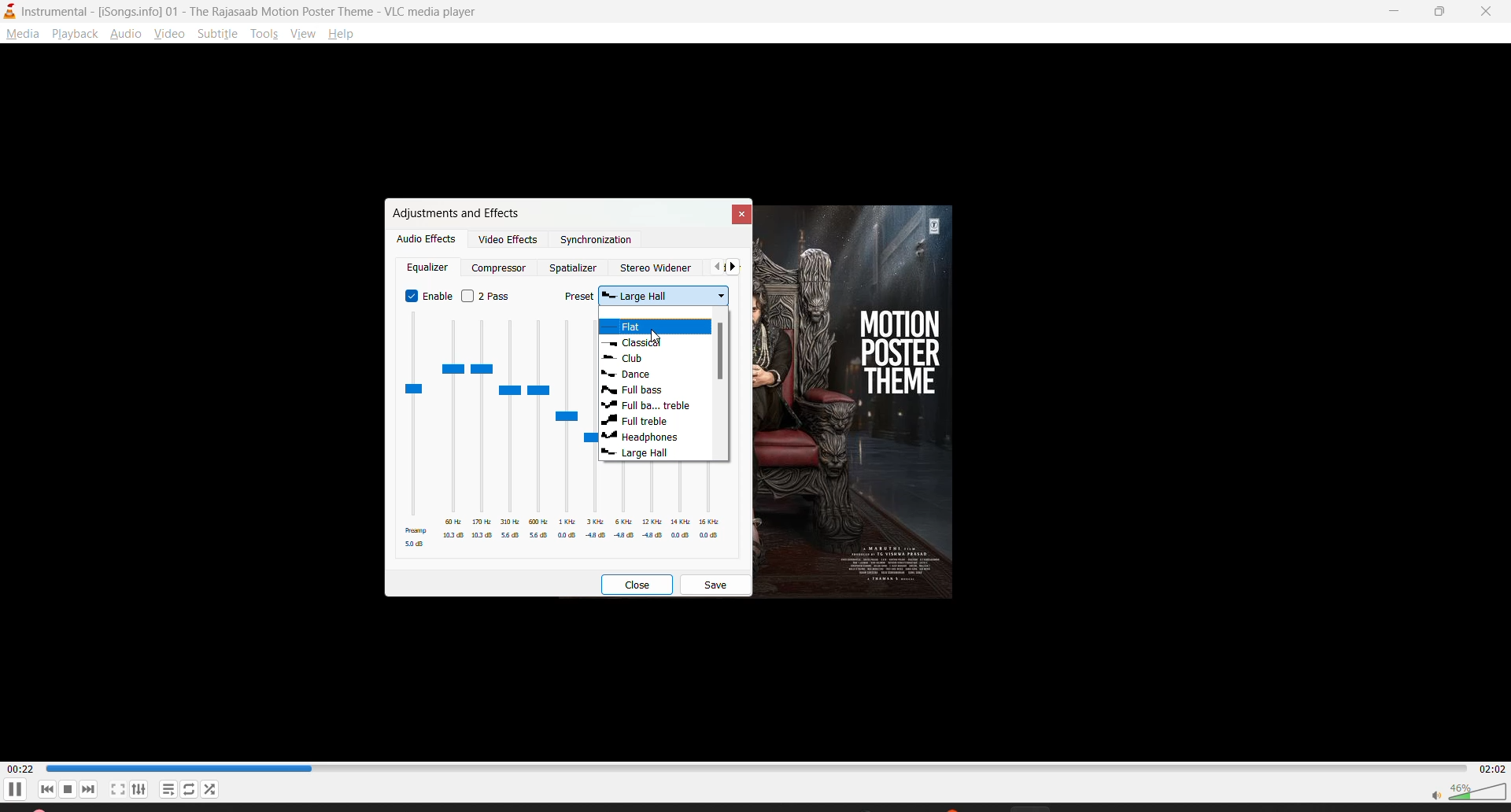 The image size is (1511, 812). Describe the element at coordinates (92, 790) in the screenshot. I see `next` at that location.